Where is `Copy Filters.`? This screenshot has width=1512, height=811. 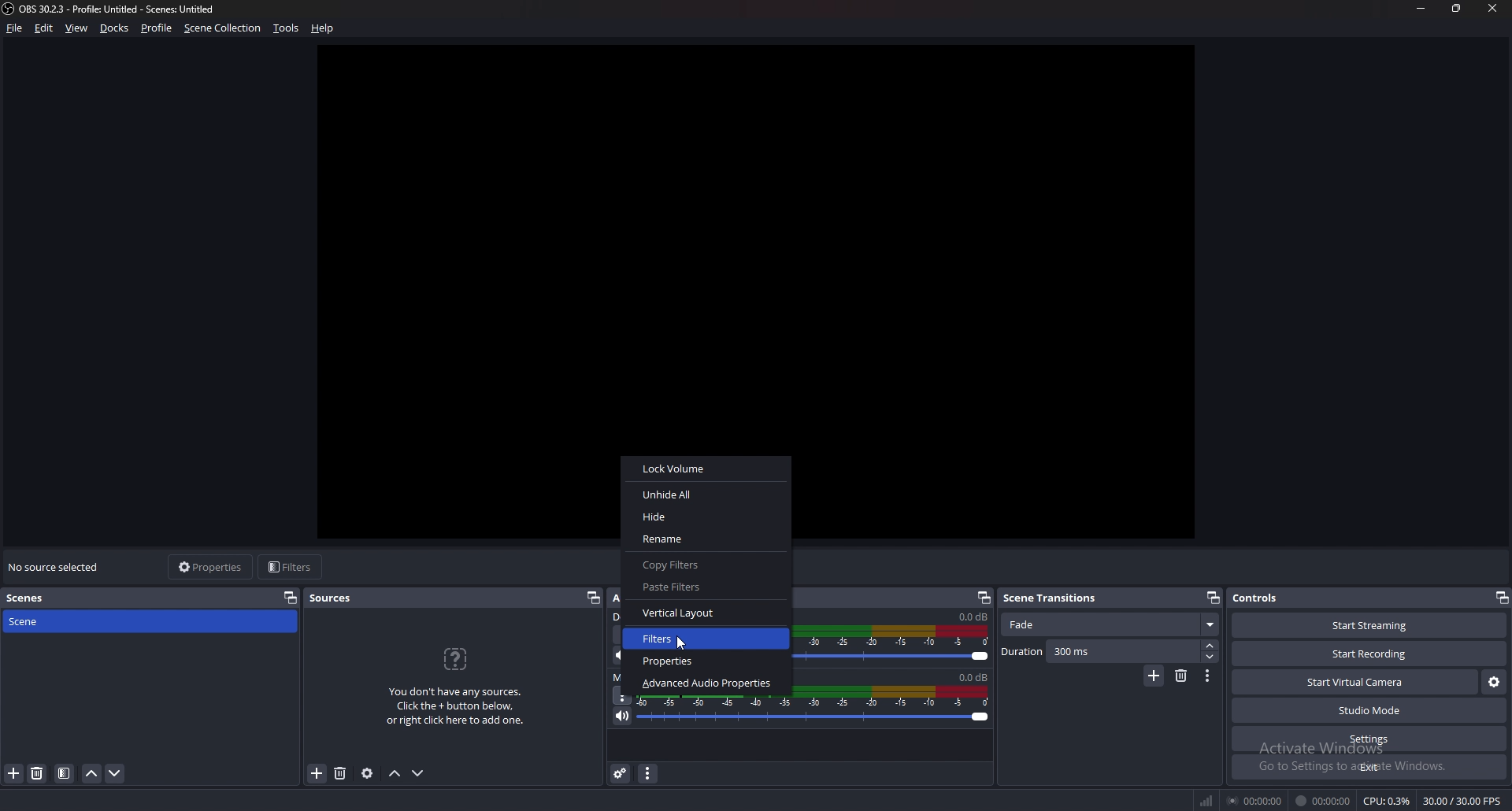 Copy Filters. is located at coordinates (678, 565).